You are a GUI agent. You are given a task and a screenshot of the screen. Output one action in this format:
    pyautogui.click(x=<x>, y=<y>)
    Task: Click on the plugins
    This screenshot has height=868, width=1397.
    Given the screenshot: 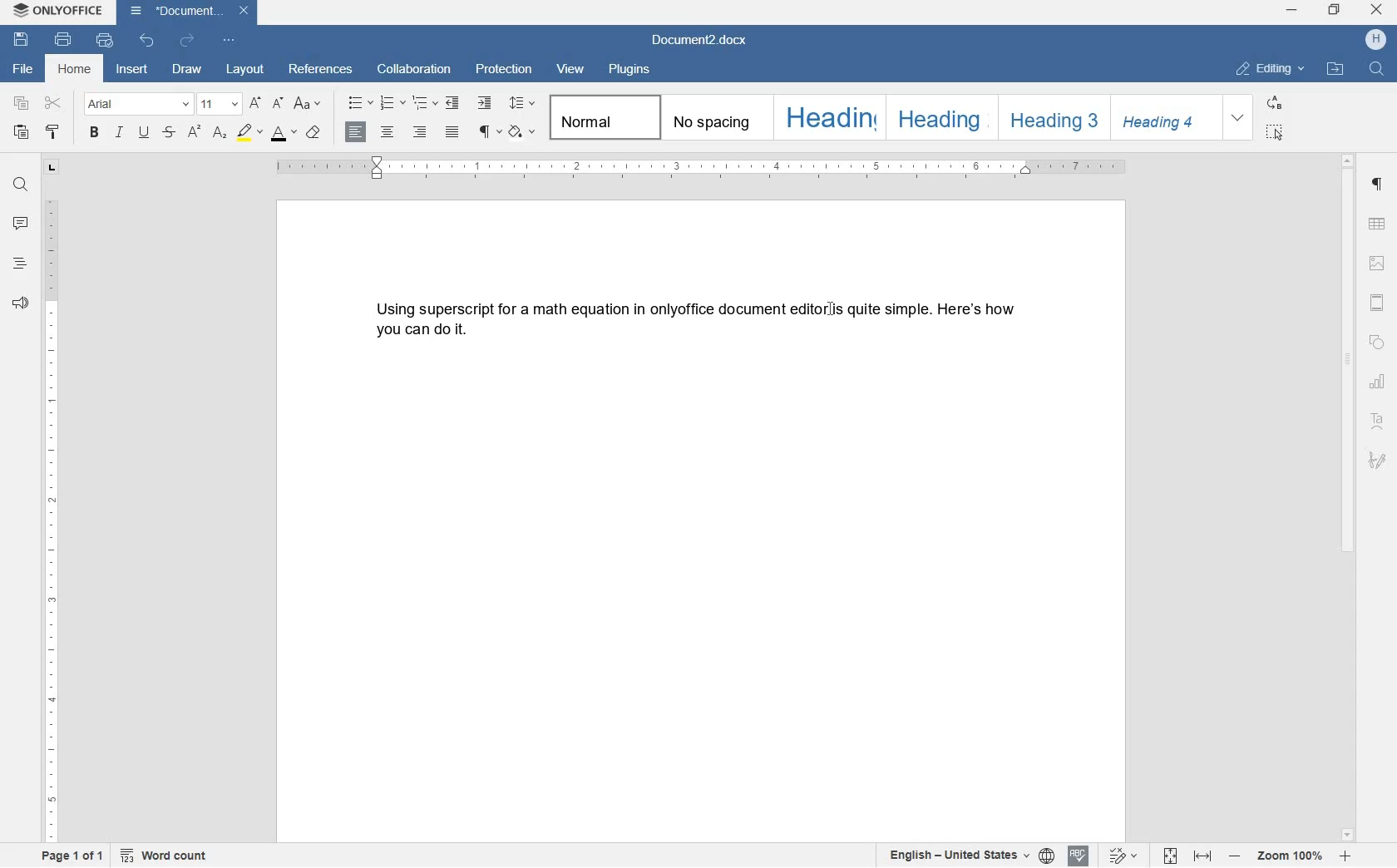 What is the action you would take?
    pyautogui.click(x=631, y=70)
    